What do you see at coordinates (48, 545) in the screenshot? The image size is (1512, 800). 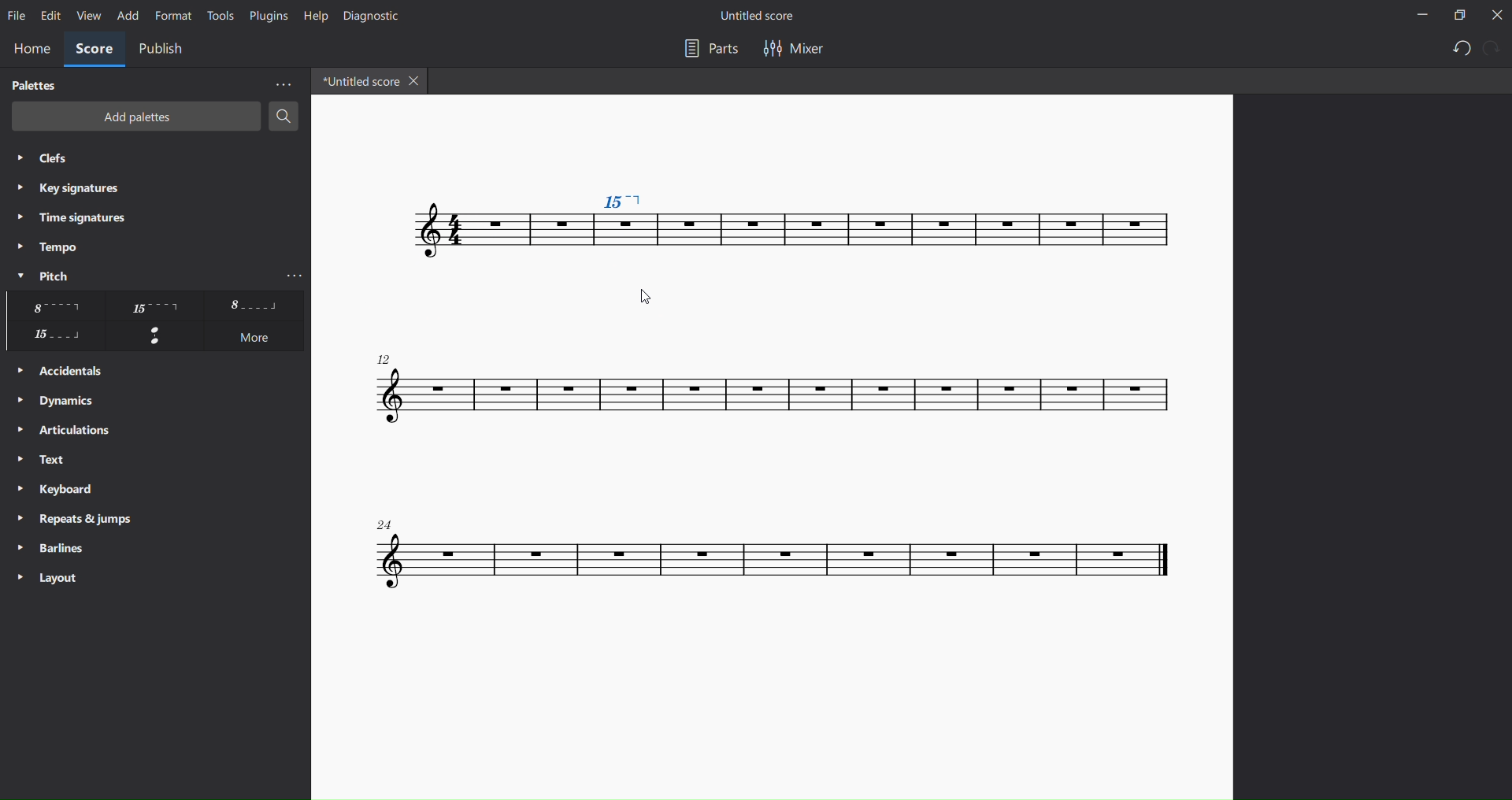 I see `barlines` at bounding box center [48, 545].